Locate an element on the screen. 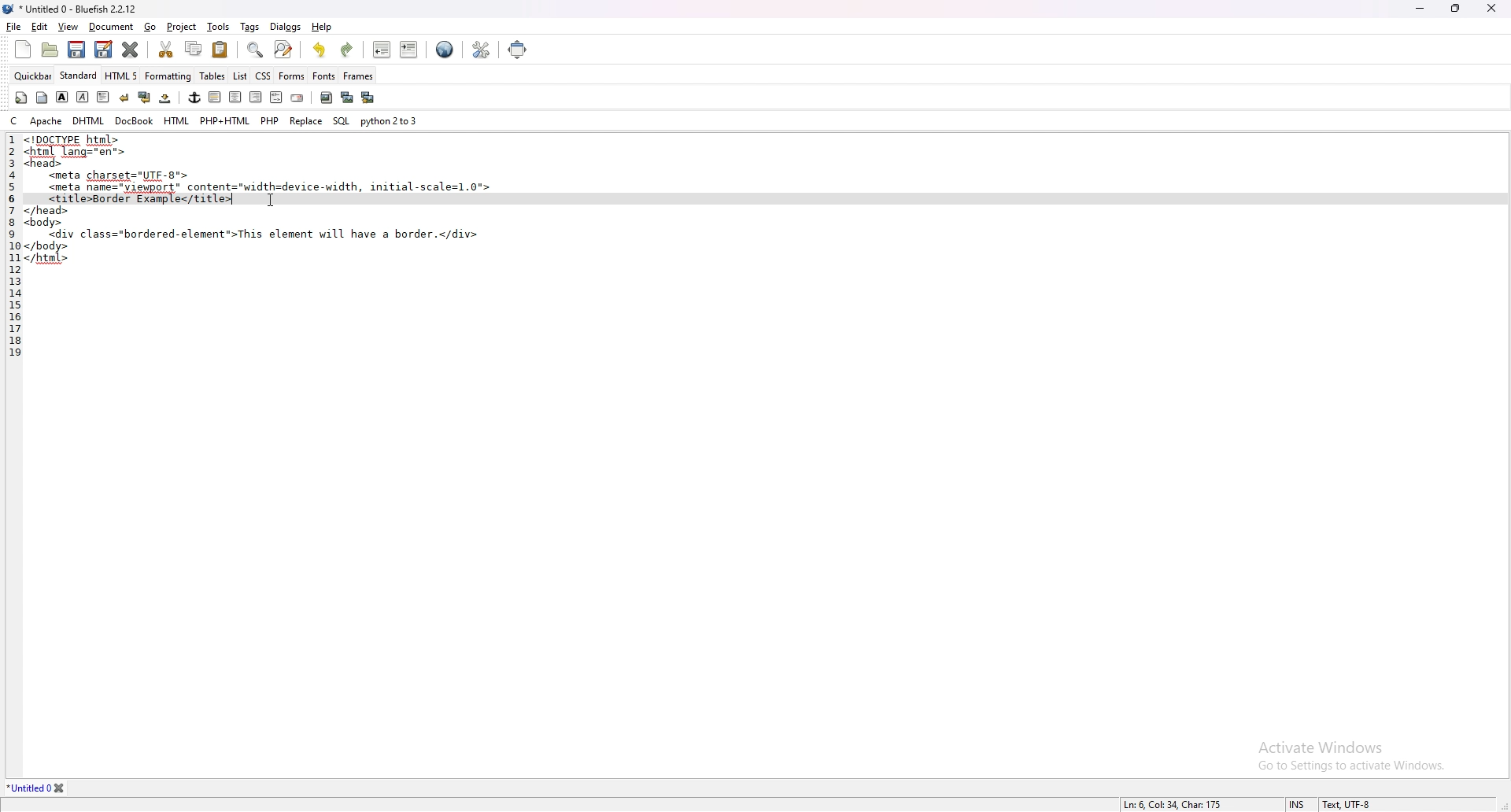 This screenshot has height=812, width=1511. tables is located at coordinates (213, 76).